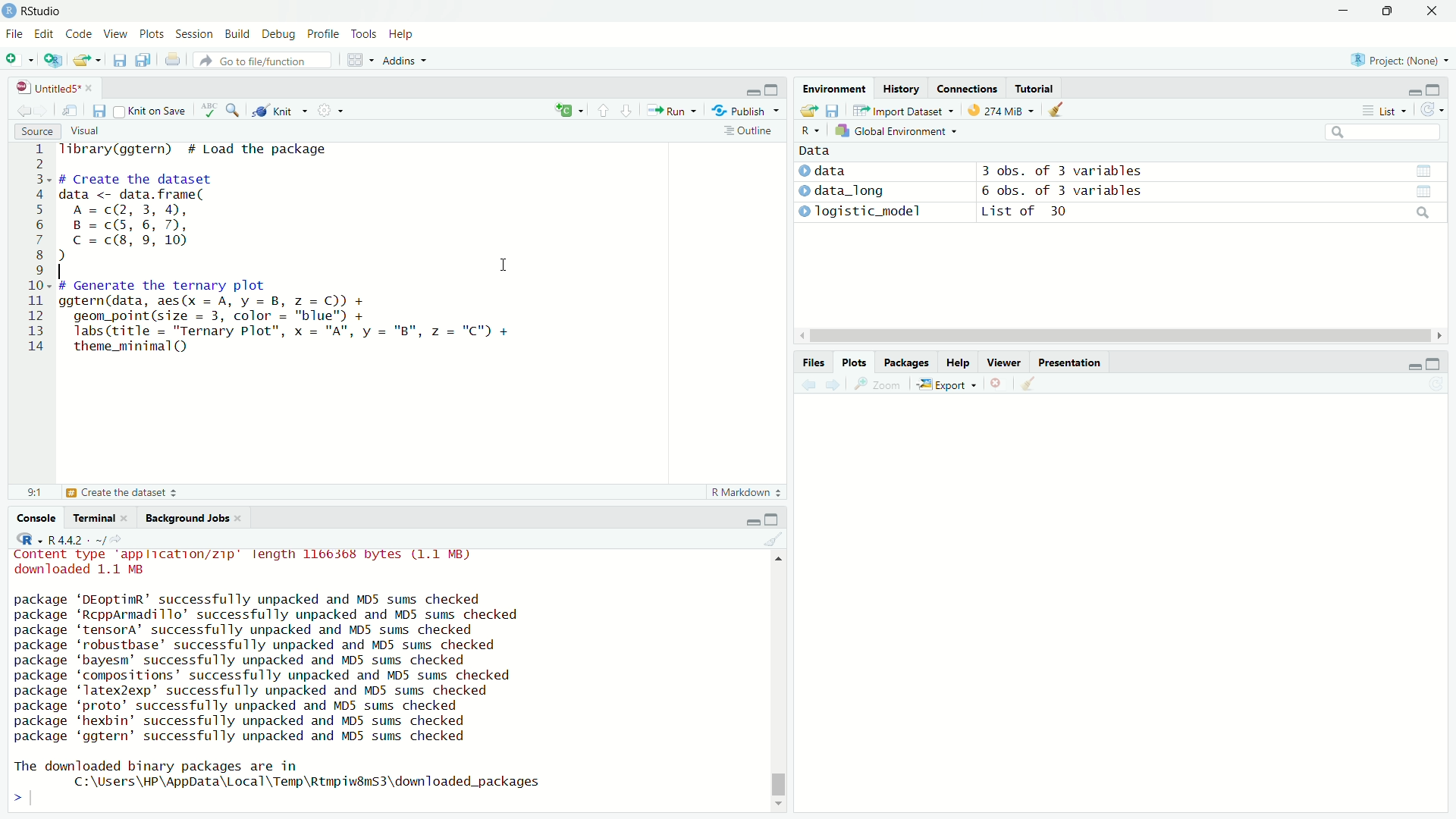 Image resolution: width=1456 pixels, height=819 pixels. What do you see at coordinates (363, 33) in the screenshot?
I see `Tools` at bounding box center [363, 33].